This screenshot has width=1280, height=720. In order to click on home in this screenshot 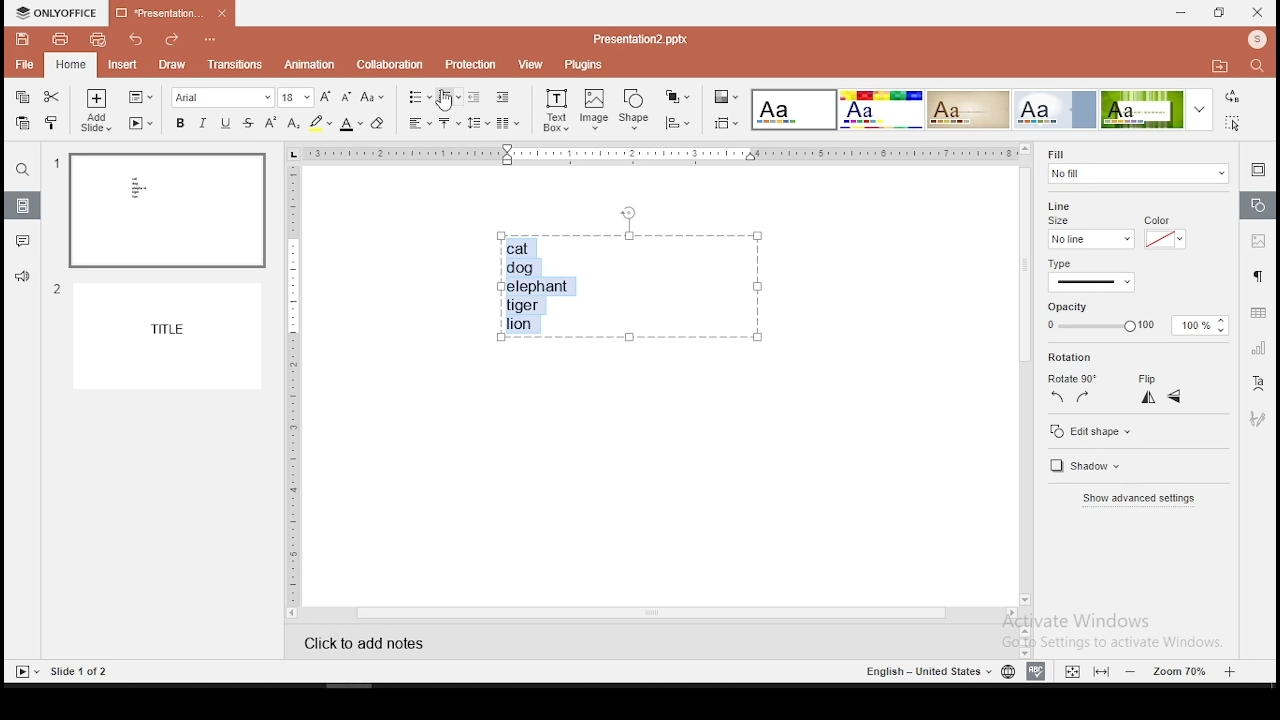, I will do `click(69, 62)`.